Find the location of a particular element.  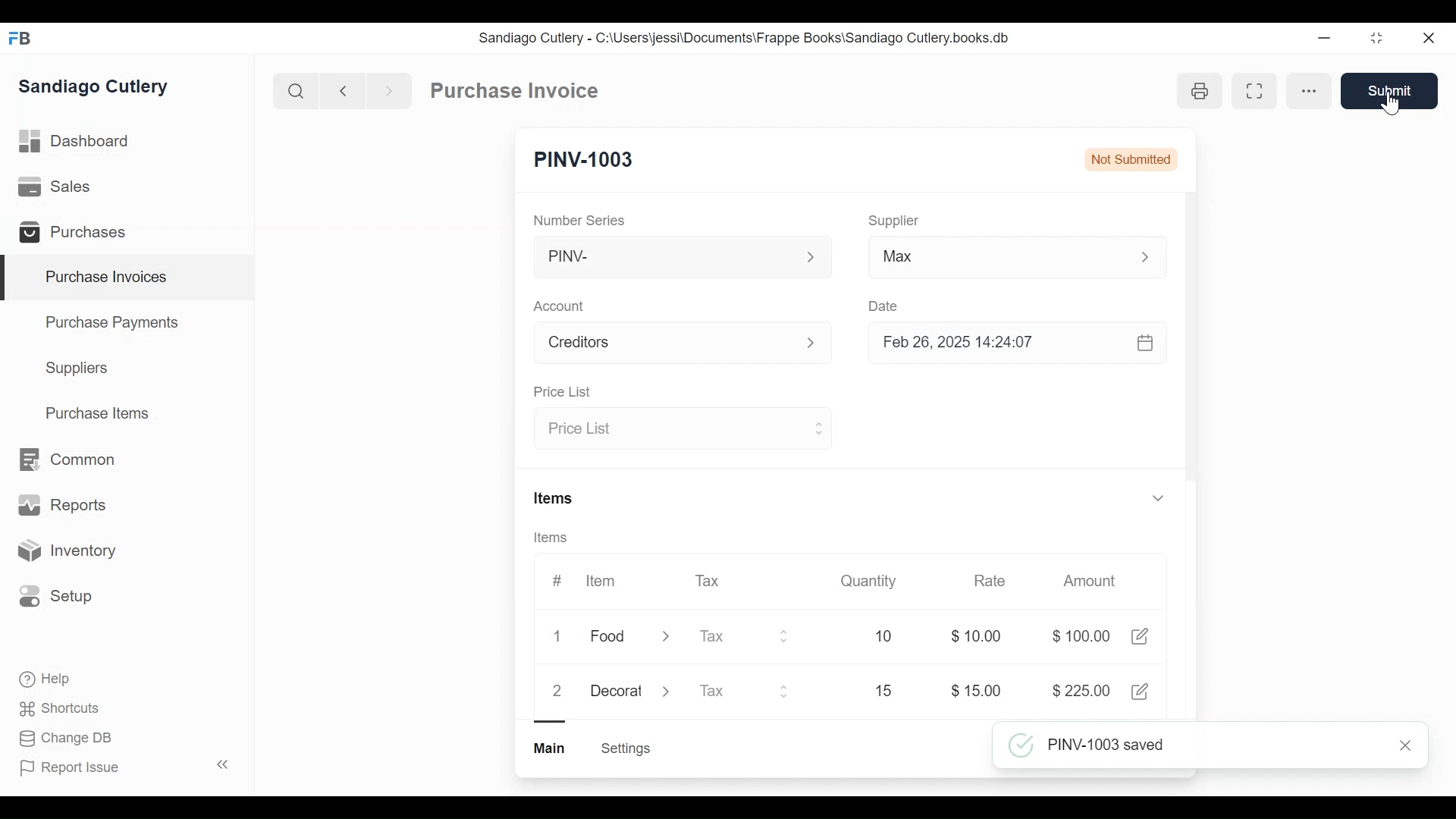

Expand is located at coordinates (666, 639).